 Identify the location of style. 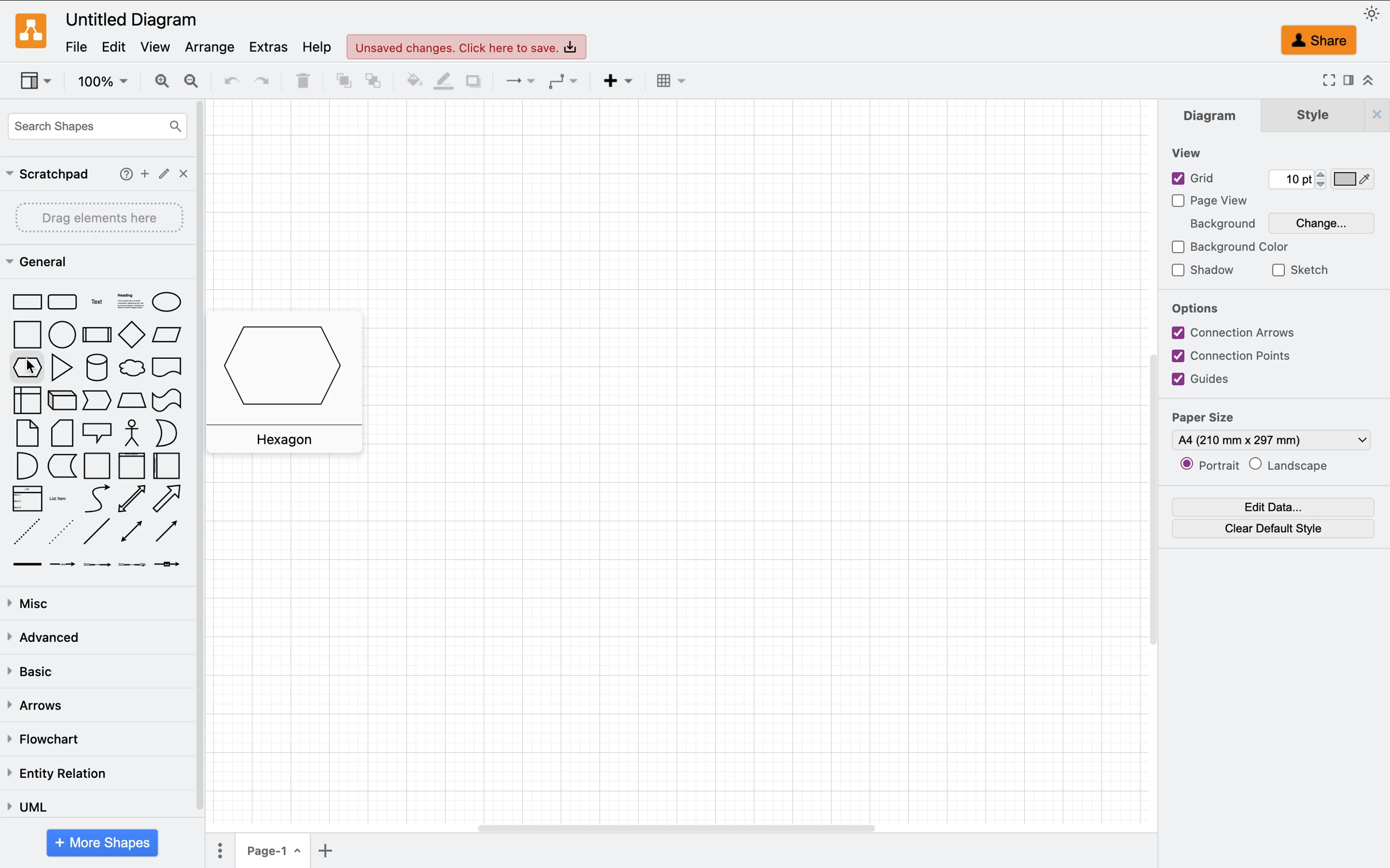
(1310, 114).